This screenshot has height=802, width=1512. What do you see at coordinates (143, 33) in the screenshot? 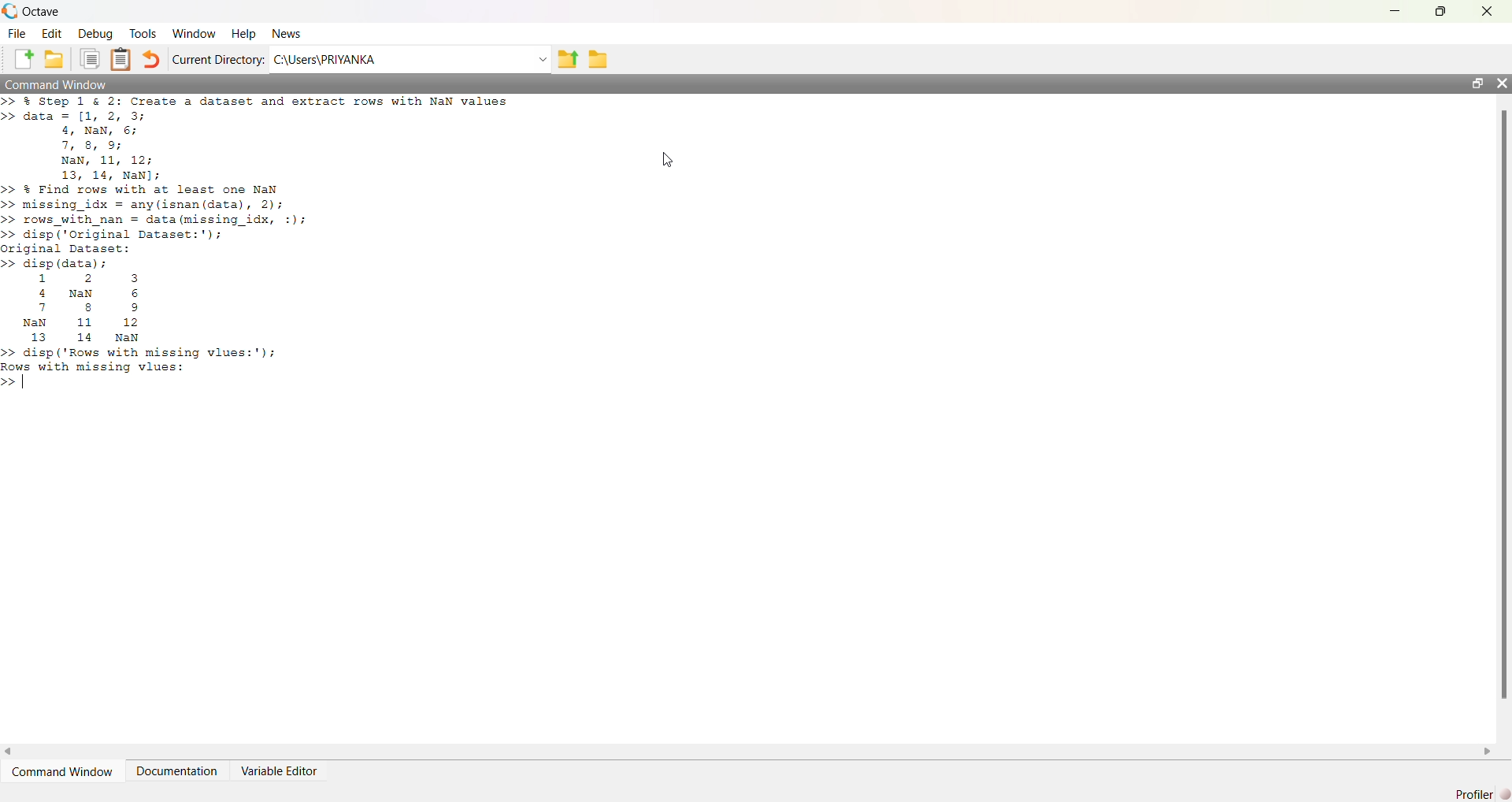
I see `Tools` at bounding box center [143, 33].